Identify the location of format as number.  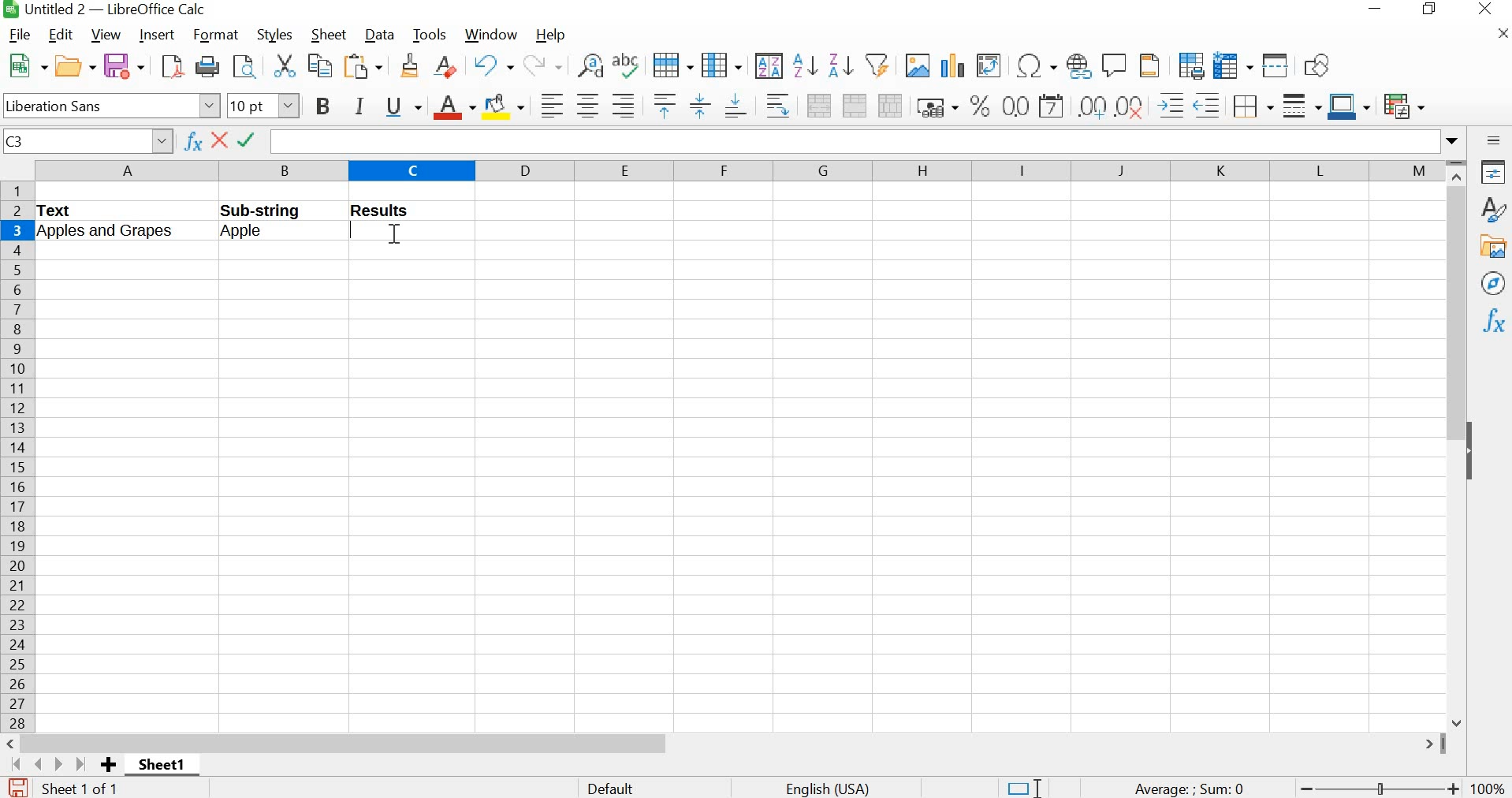
(1015, 106).